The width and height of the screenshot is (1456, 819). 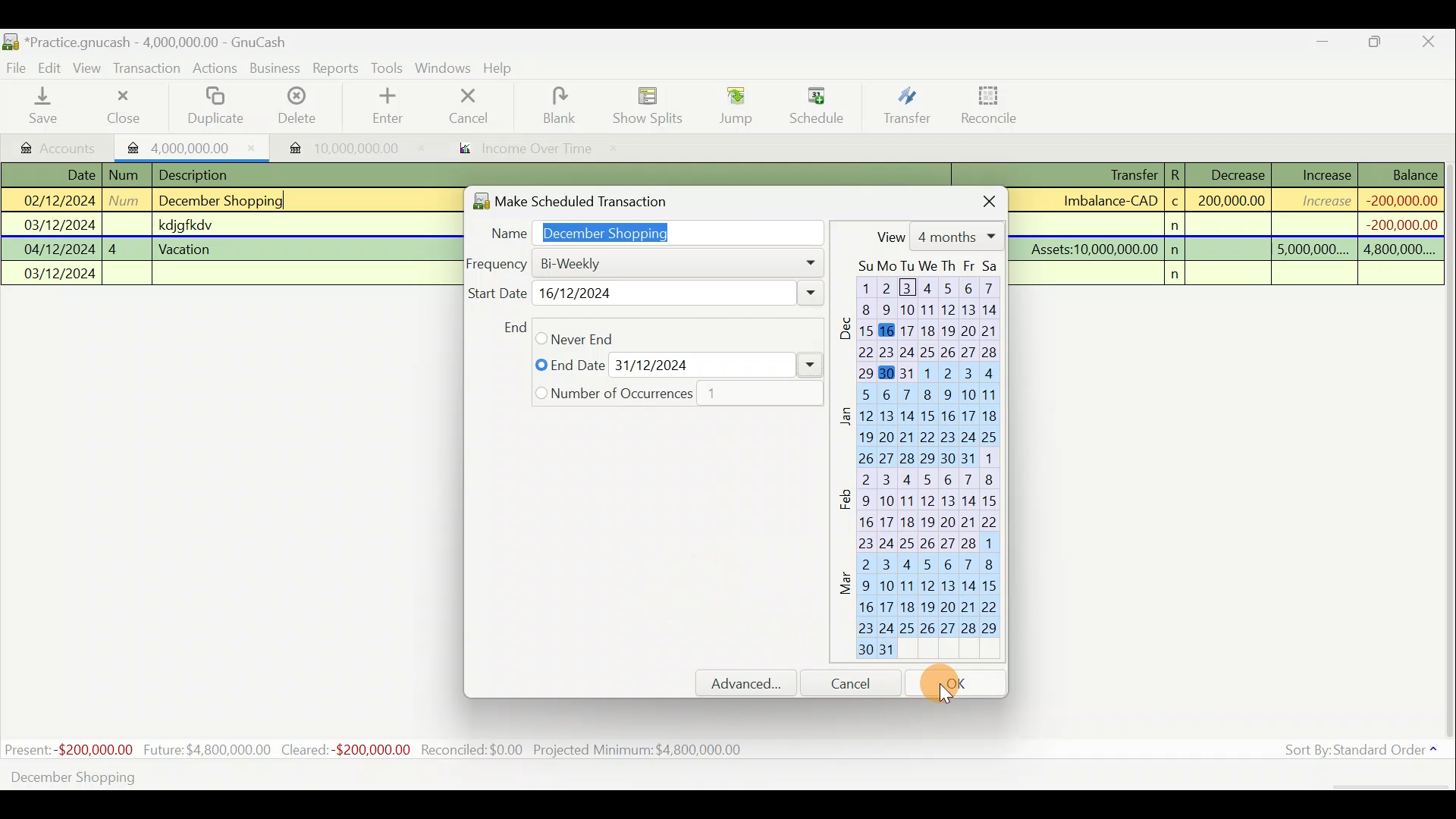 I want to click on Cancel, so click(x=858, y=682).